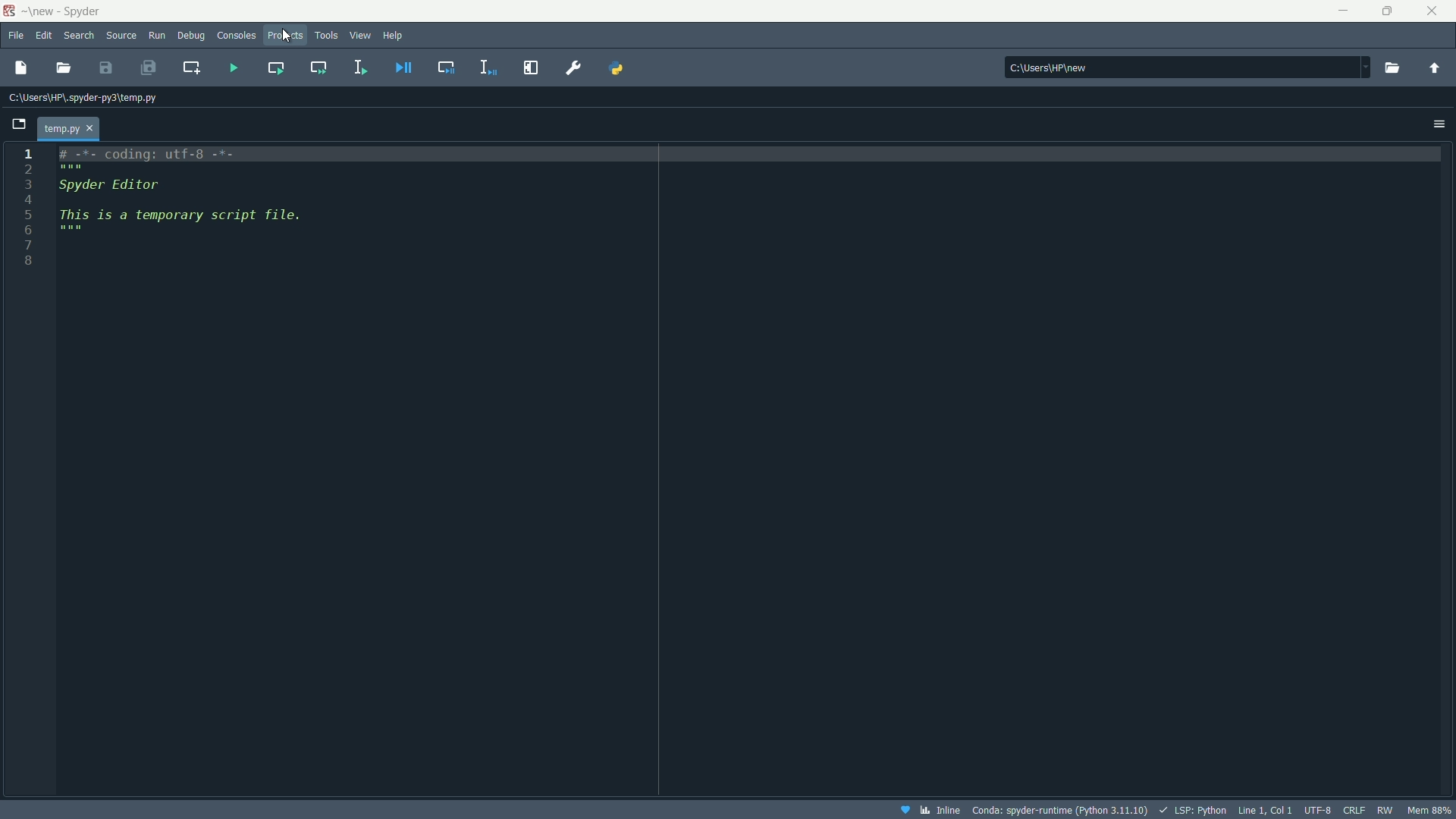 The image size is (1456, 819). Describe the element at coordinates (20, 67) in the screenshot. I see `New File ` at that location.